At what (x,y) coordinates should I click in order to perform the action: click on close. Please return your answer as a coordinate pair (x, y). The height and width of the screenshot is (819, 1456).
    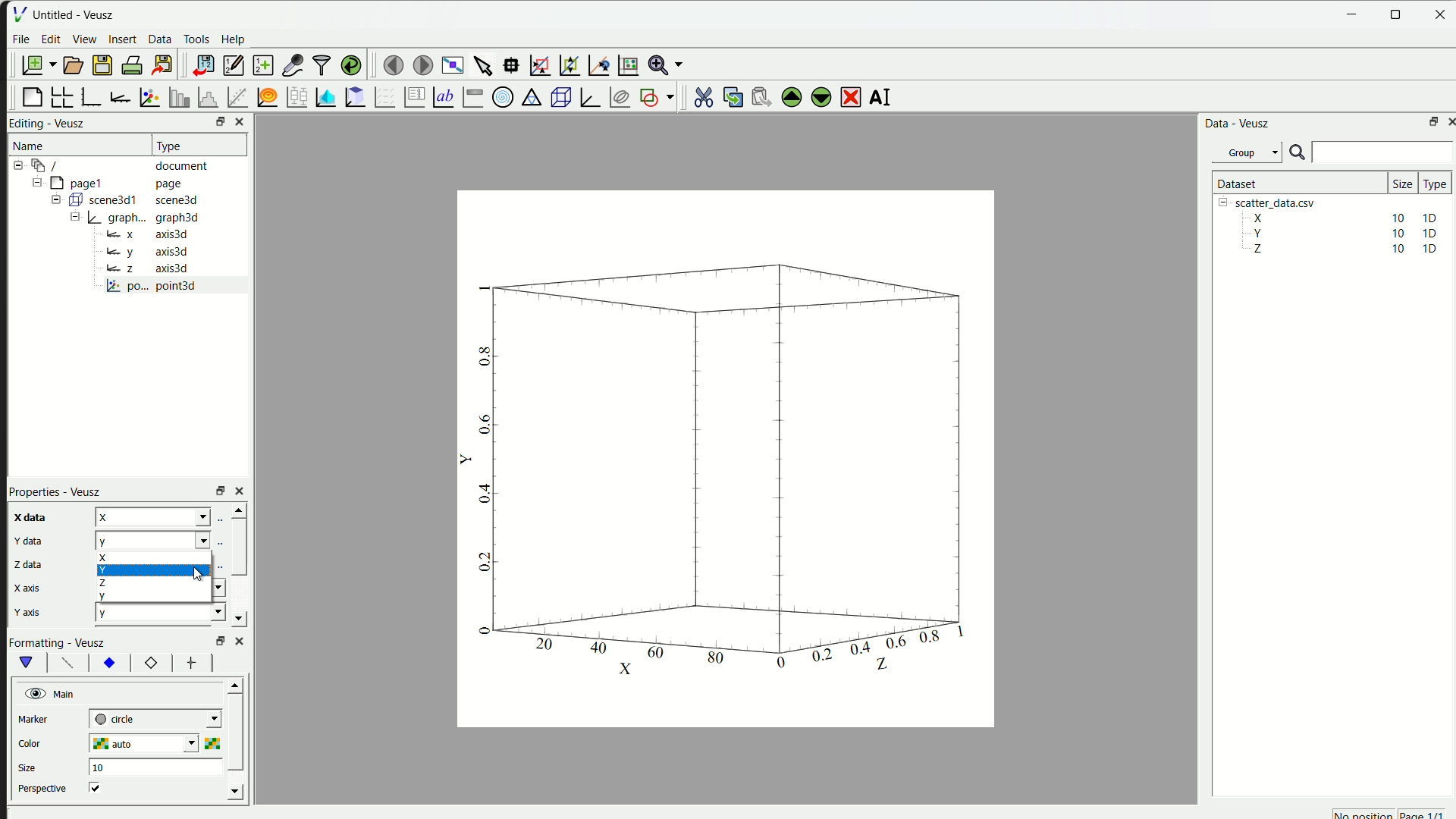
    Looking at the image, I should click on (1448, 121).